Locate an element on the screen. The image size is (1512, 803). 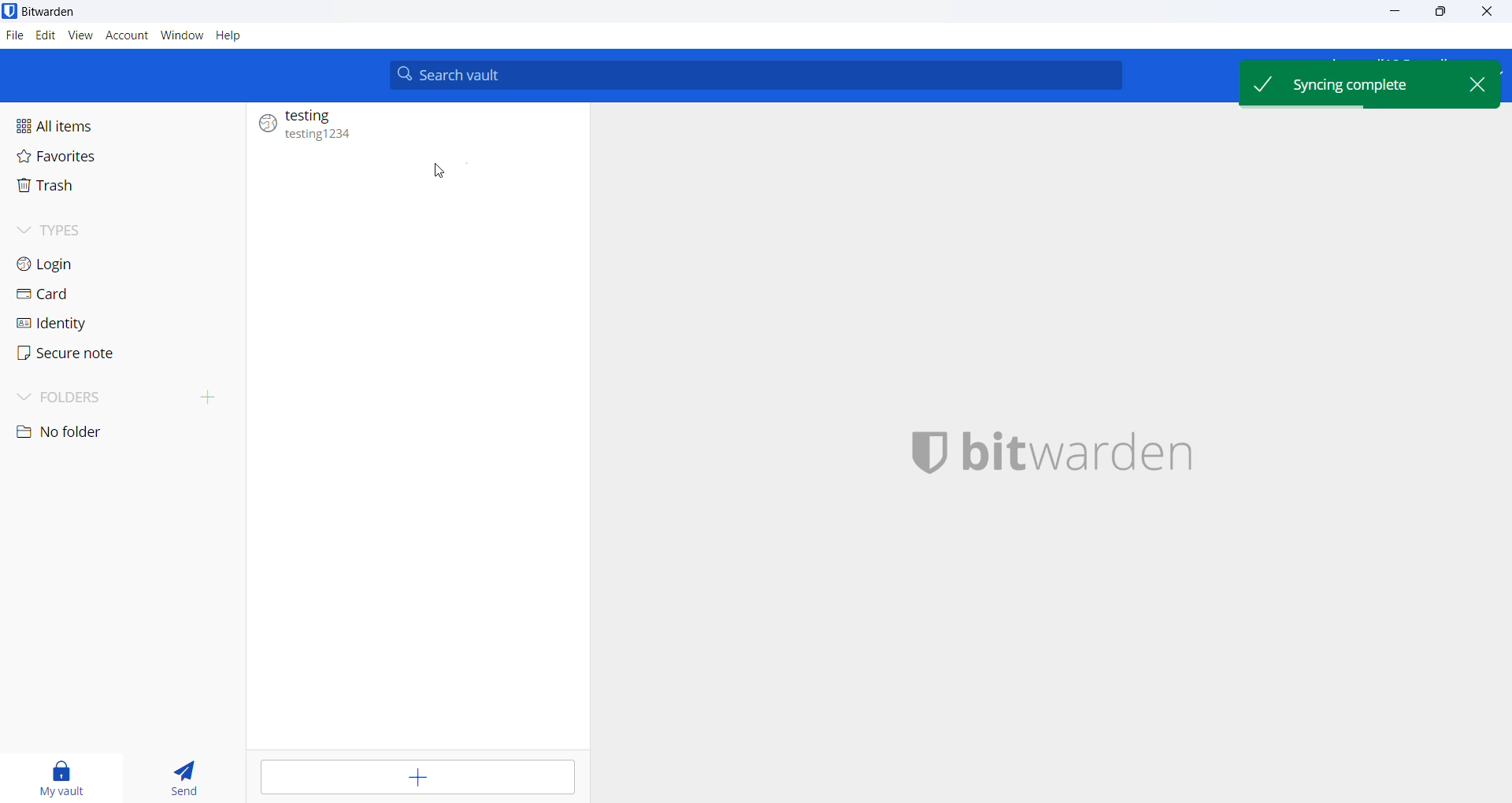
cursor is located at coordinates (439, 172).